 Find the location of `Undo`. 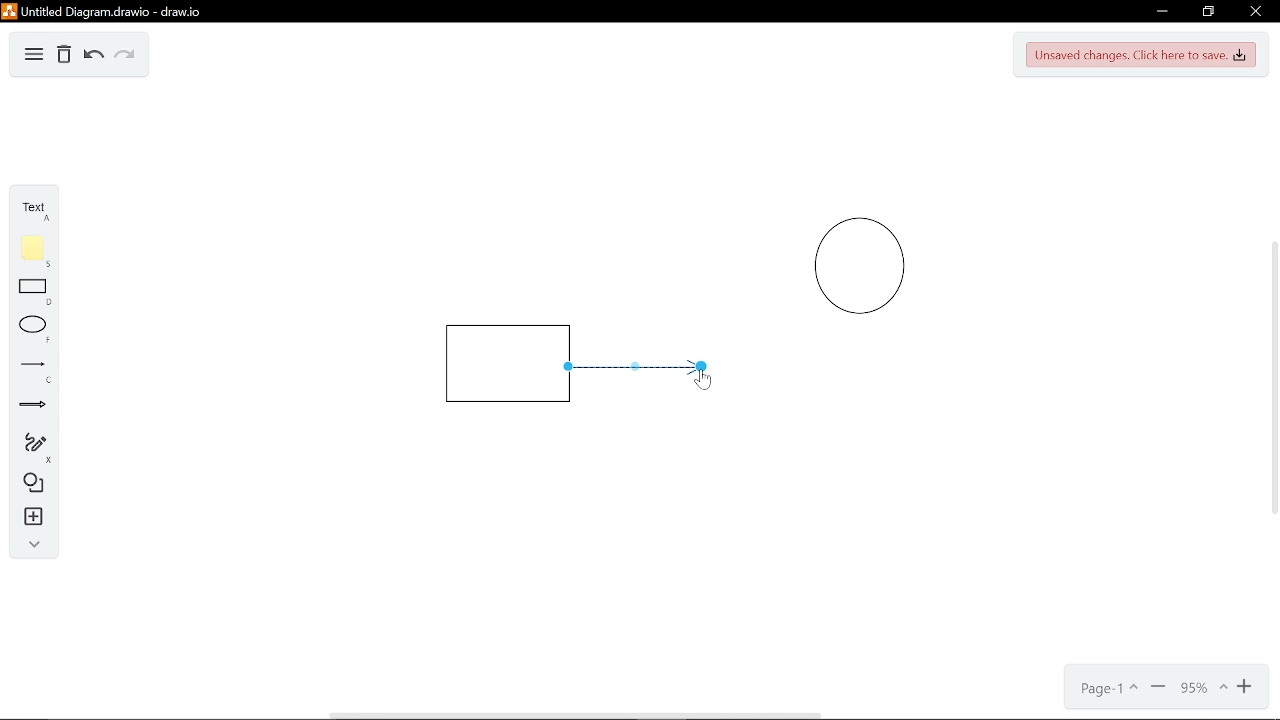

Undo is located at coordinates (92, 56).